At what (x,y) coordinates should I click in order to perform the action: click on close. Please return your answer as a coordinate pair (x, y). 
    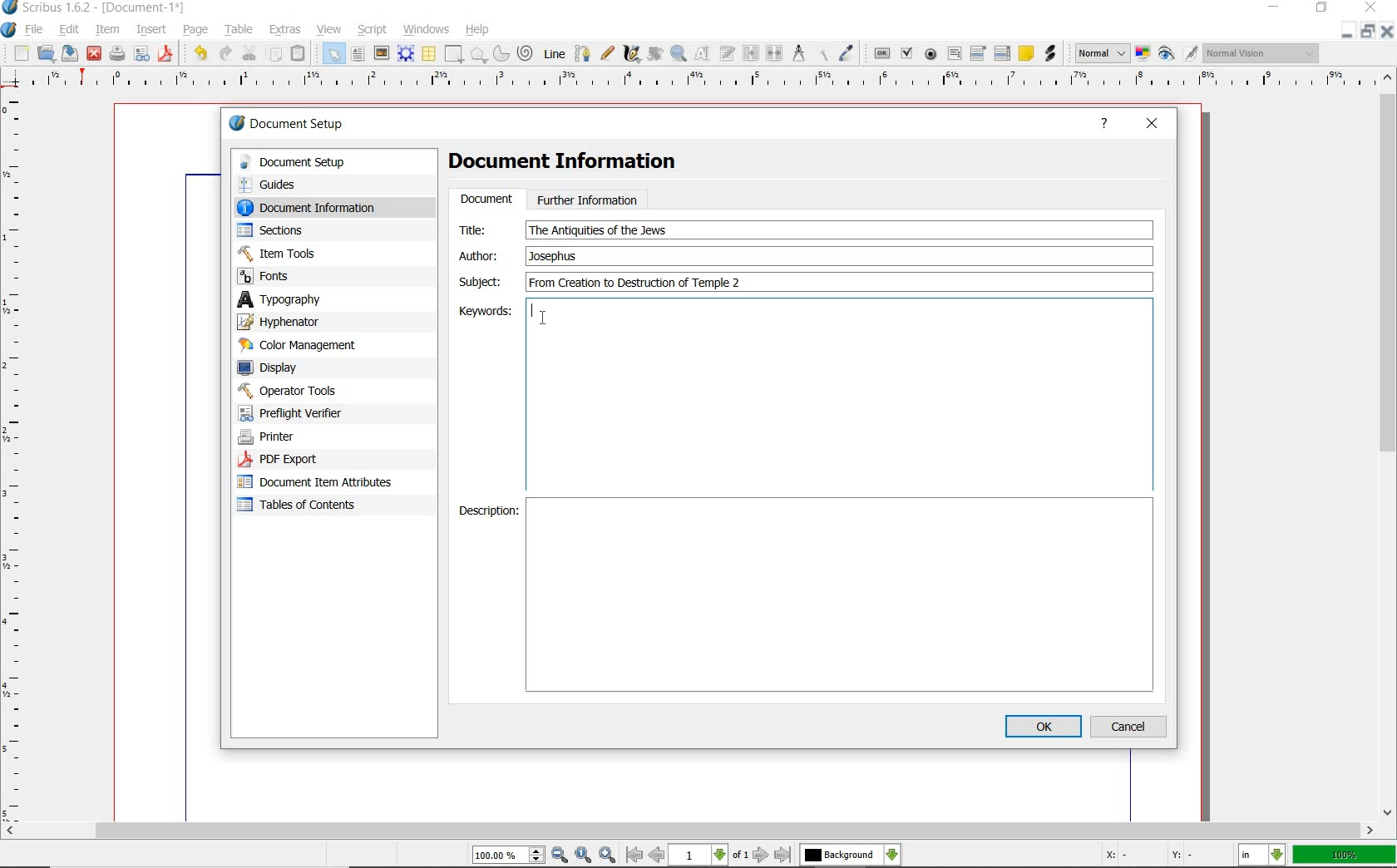
    Looking at the image, I should click on (95, 55).